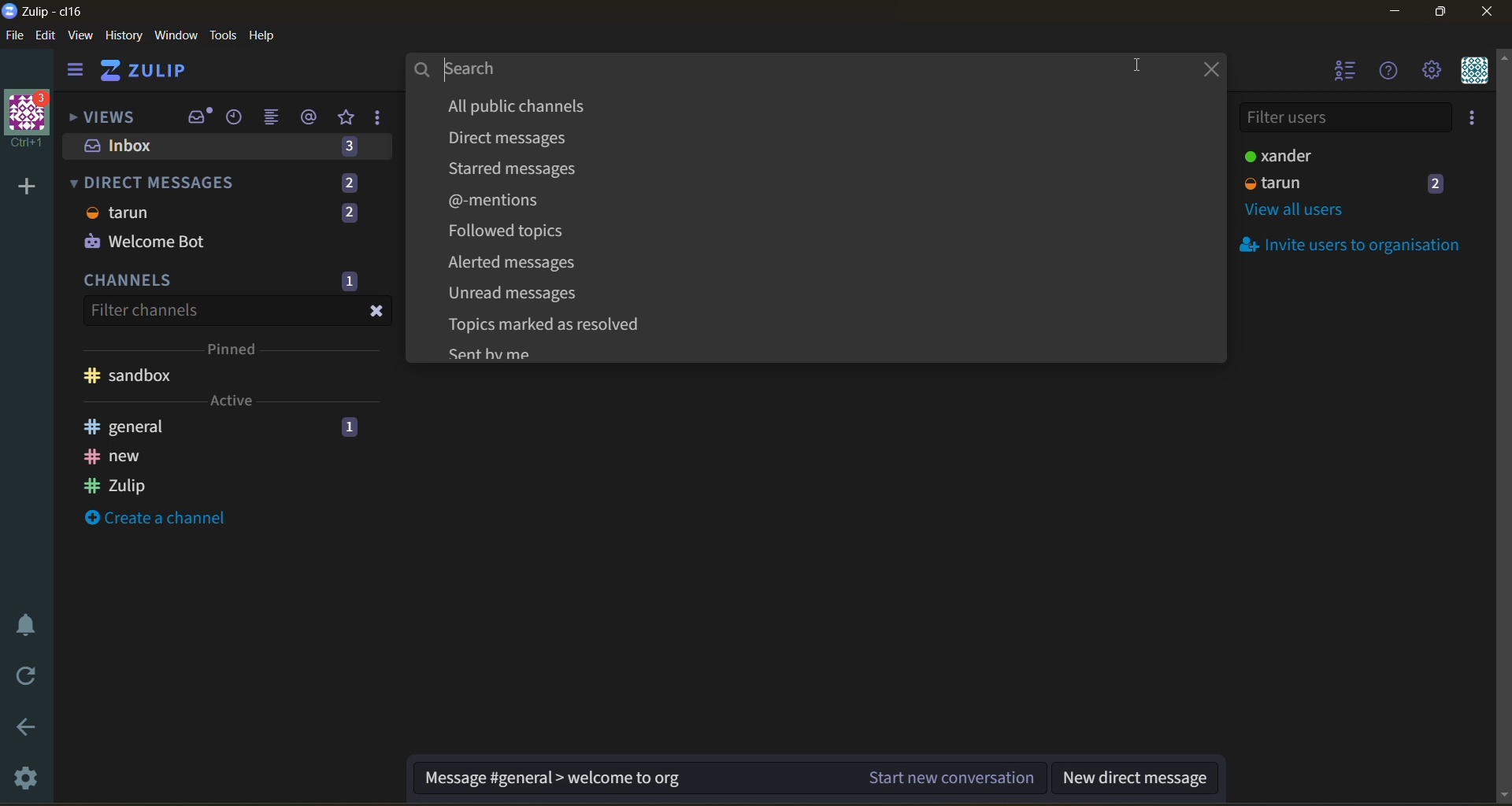 Image resolution: width=1512 pixels, height=806 pixels. I want to click on All public channels, so click(511, 106).